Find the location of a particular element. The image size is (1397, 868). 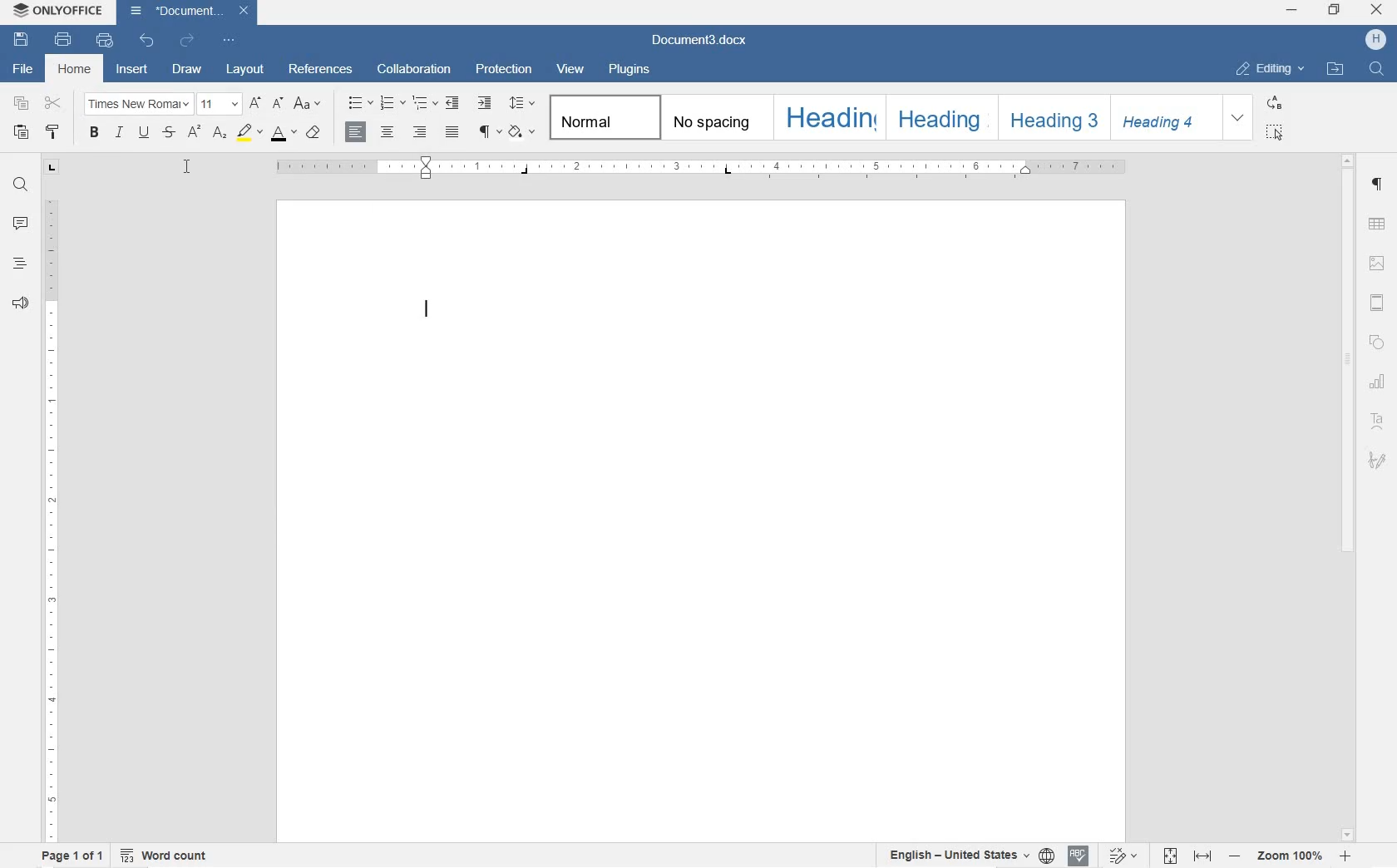

NO SPACING is located at coordinates (715, 117).